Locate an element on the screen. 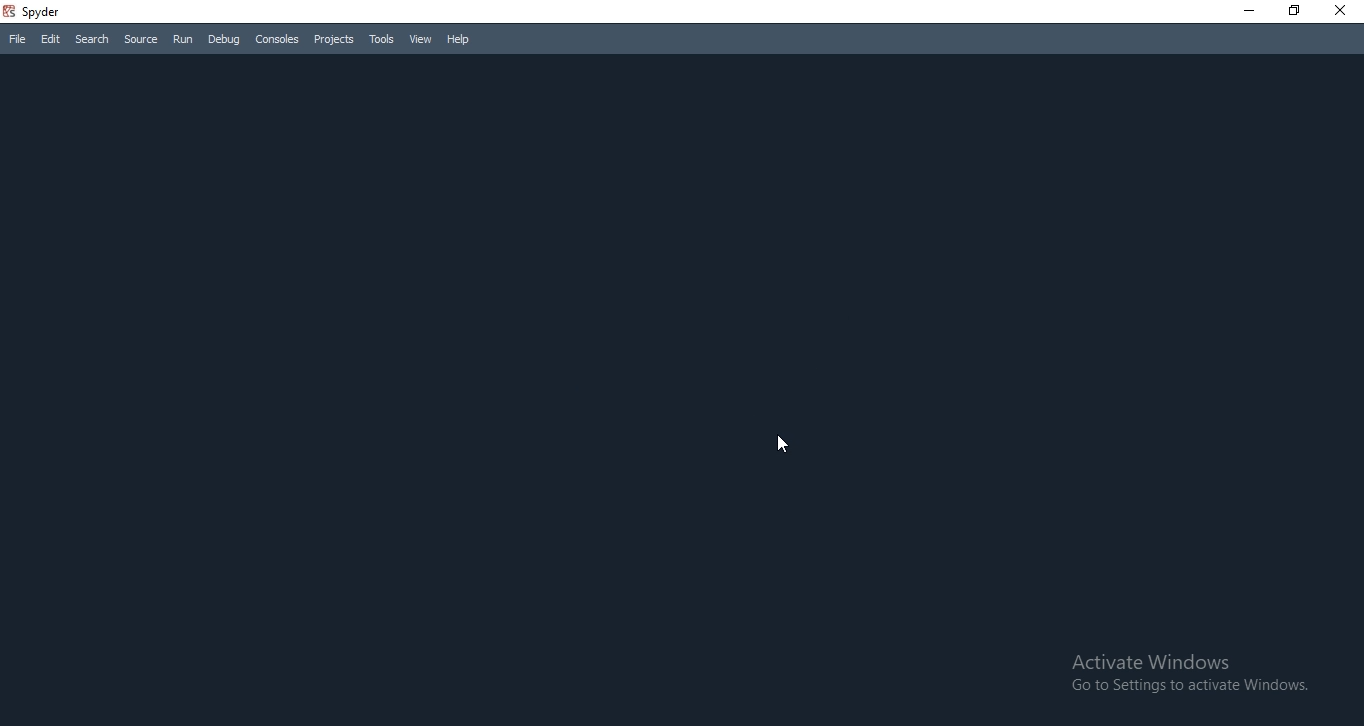 The image size is (1364, 726). Tools is located at coordinates (379, 40).